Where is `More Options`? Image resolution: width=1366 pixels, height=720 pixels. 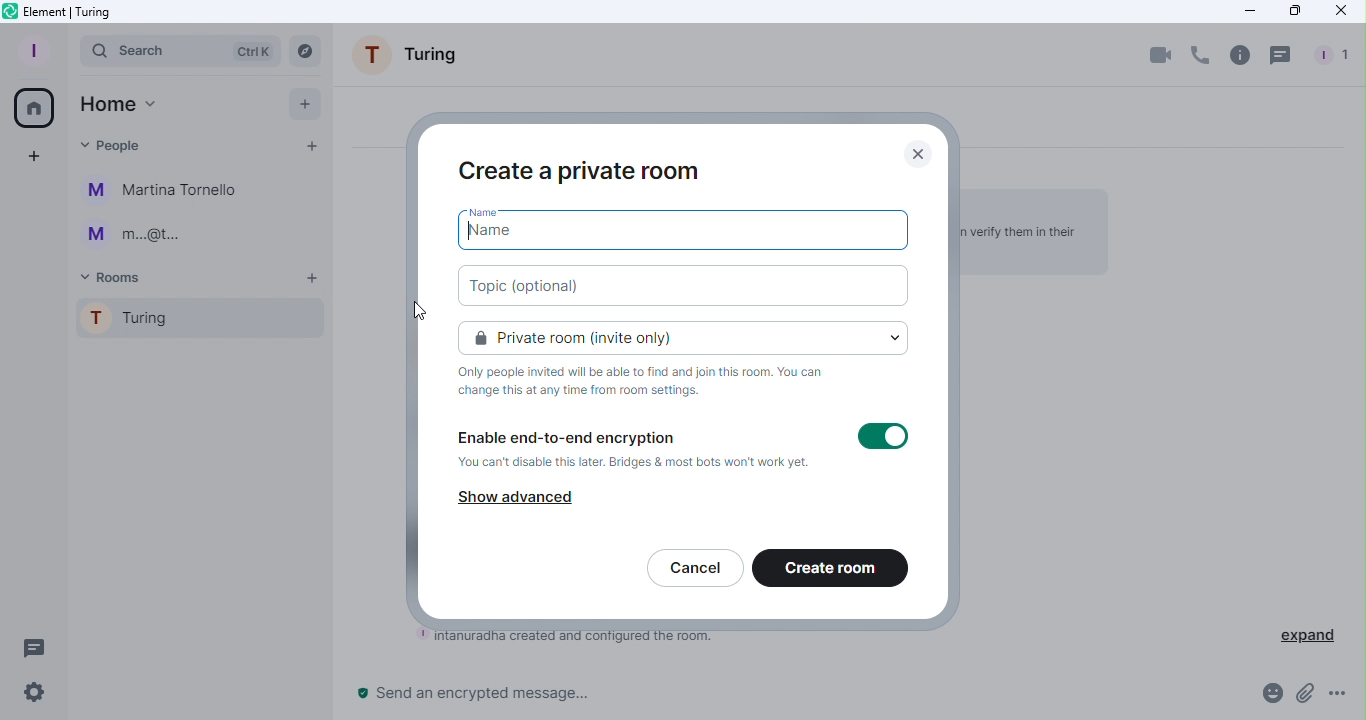 More Options is located at coordinates (1341, 696).